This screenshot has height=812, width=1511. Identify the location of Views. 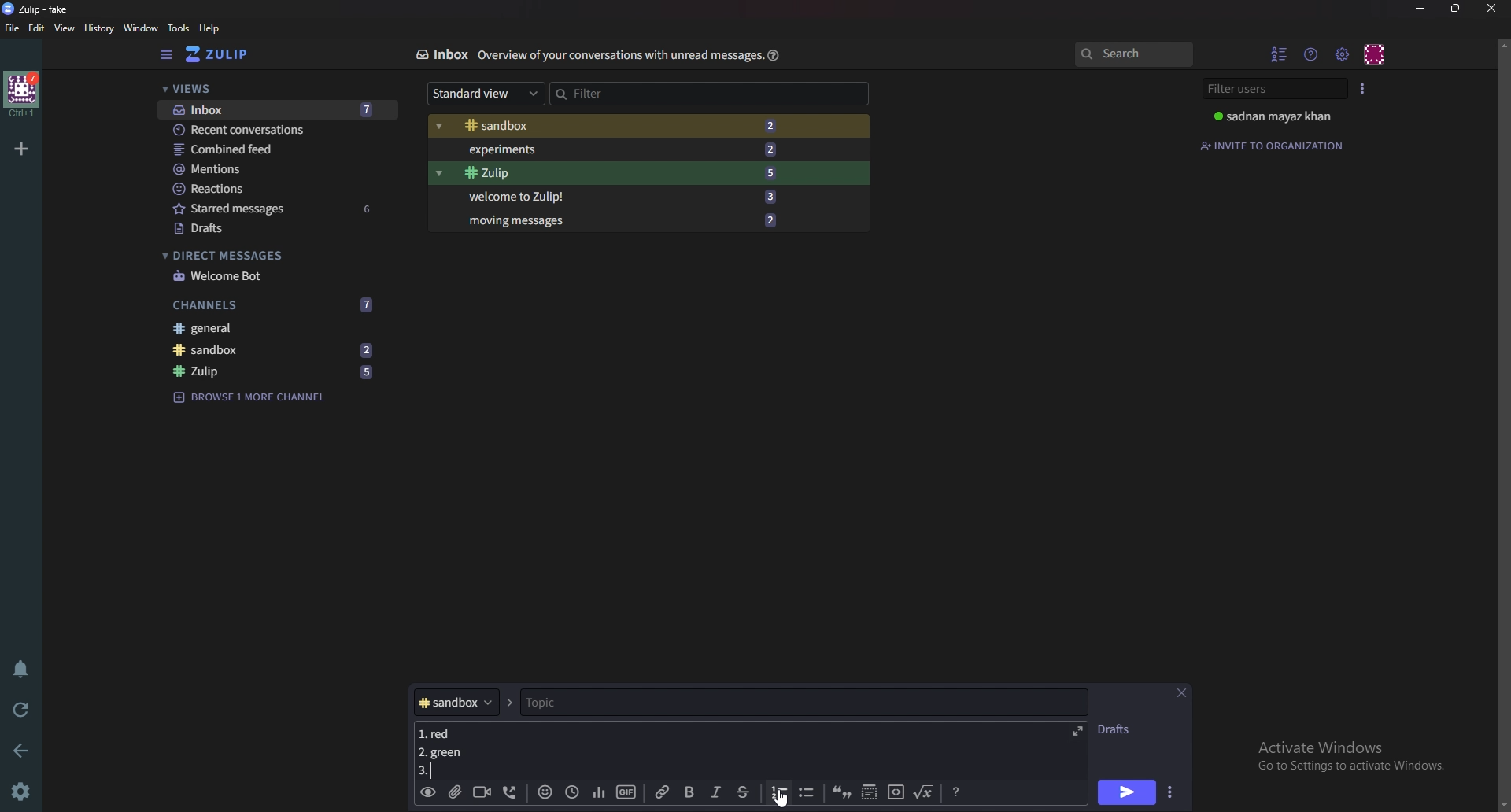
(269, 90).